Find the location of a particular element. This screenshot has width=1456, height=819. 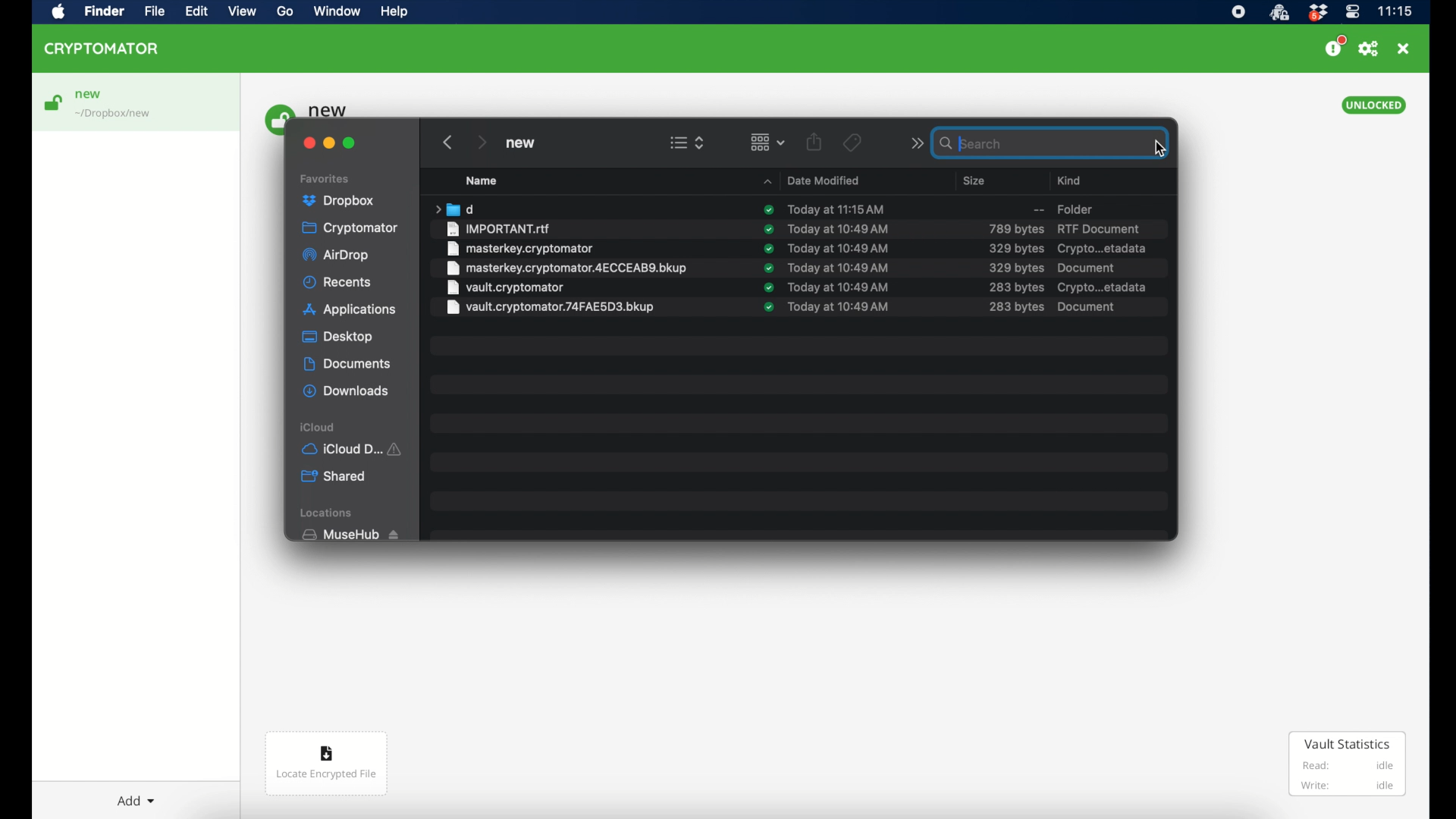

documents is located at coordinates (347, 364).